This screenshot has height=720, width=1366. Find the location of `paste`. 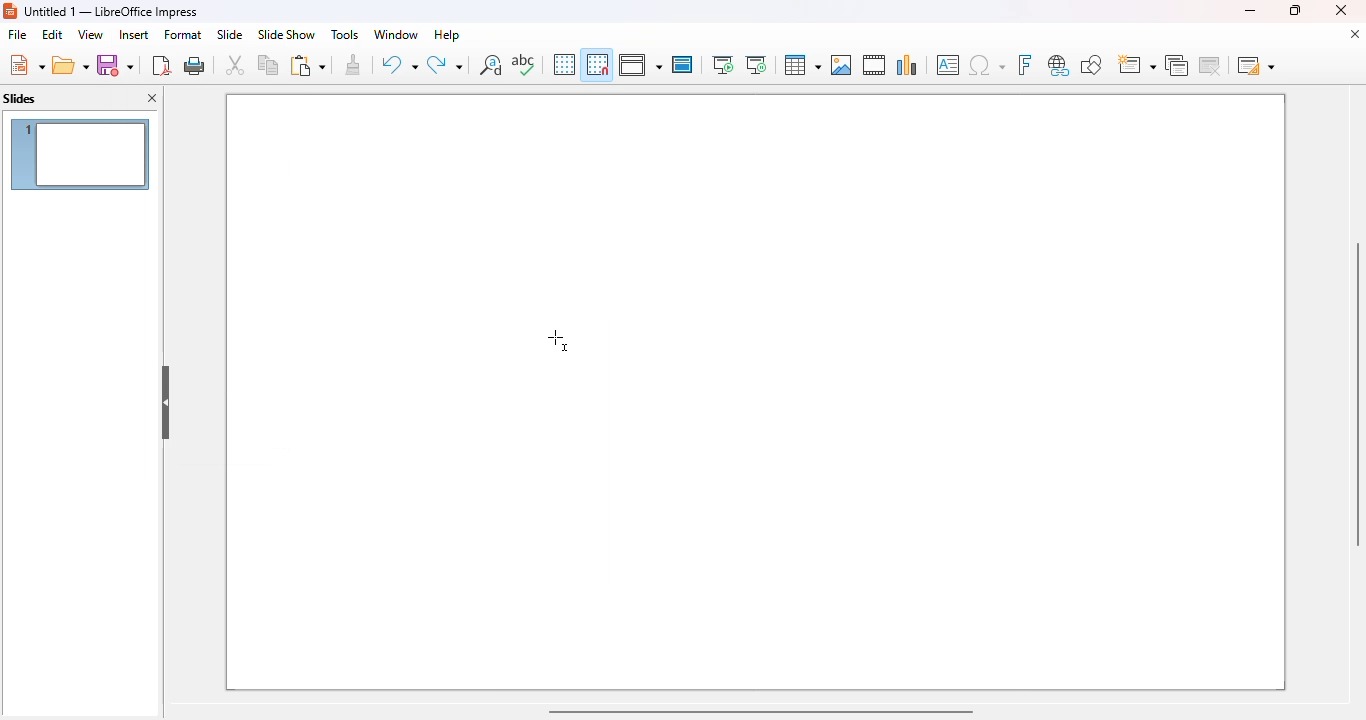

paste is located at coordinates (307, 65).